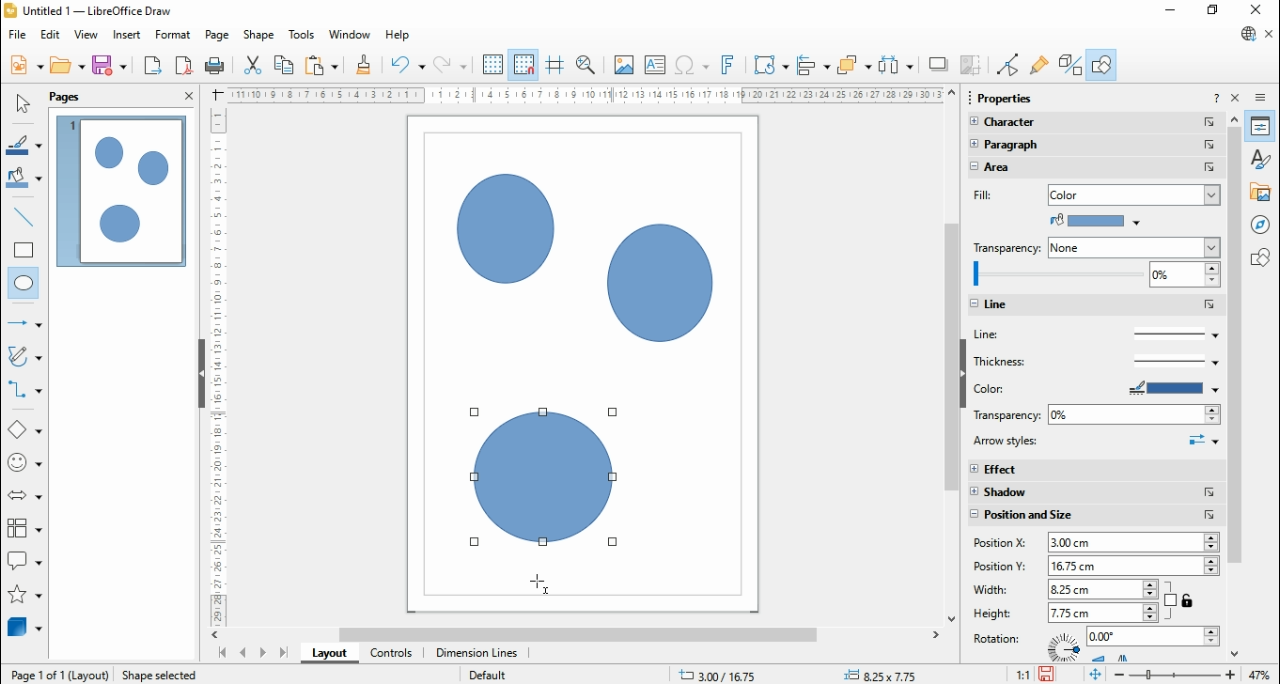  What do you see at coordinates (58, 674) in the screenshot?
I see `Page 1 0f 1 (Layout)` at bounding box center [58, 674].